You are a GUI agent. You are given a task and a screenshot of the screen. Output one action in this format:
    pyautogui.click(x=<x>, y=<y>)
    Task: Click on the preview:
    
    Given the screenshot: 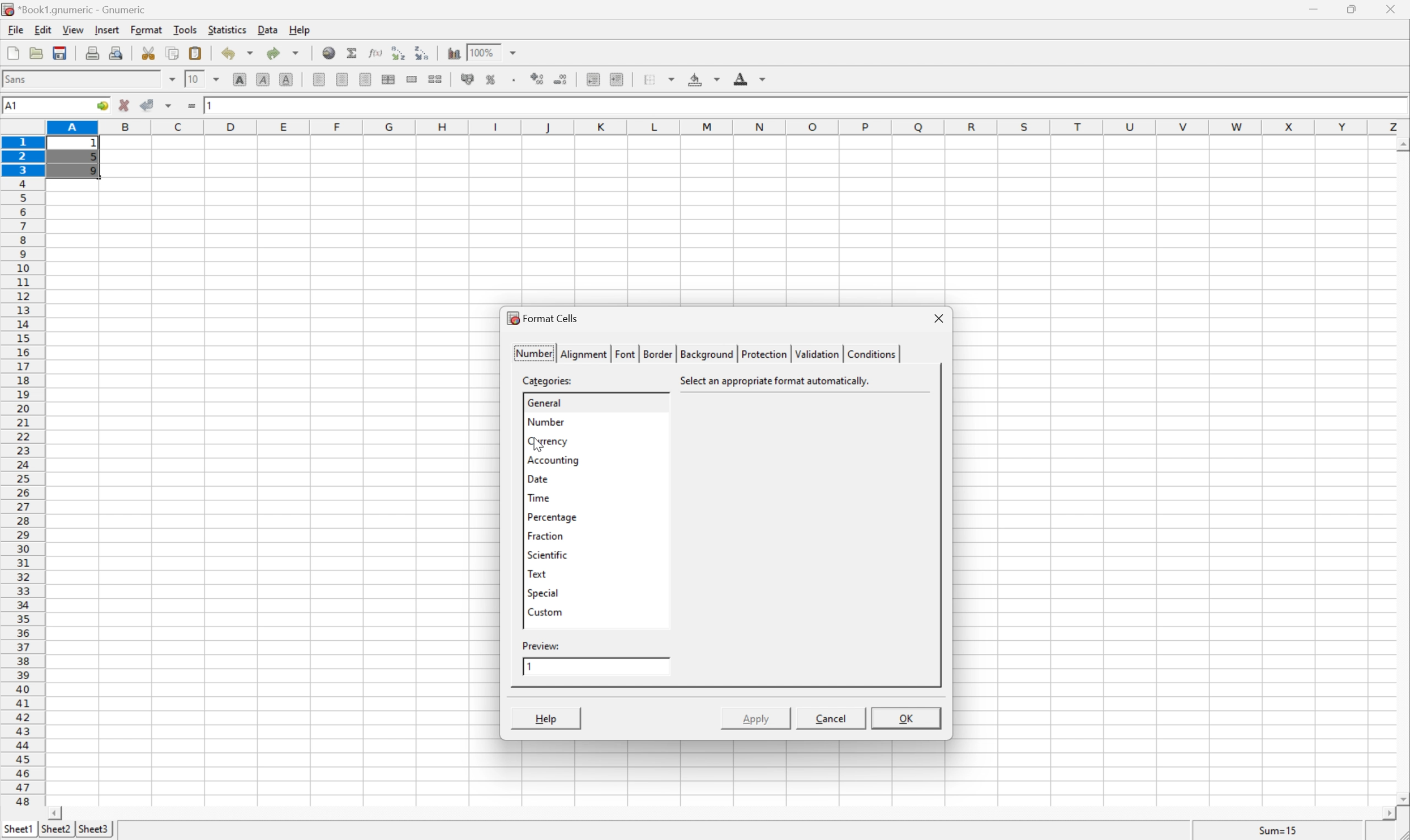 What is the action you would take?
    pyautogui.click(x=542, y=645)
    